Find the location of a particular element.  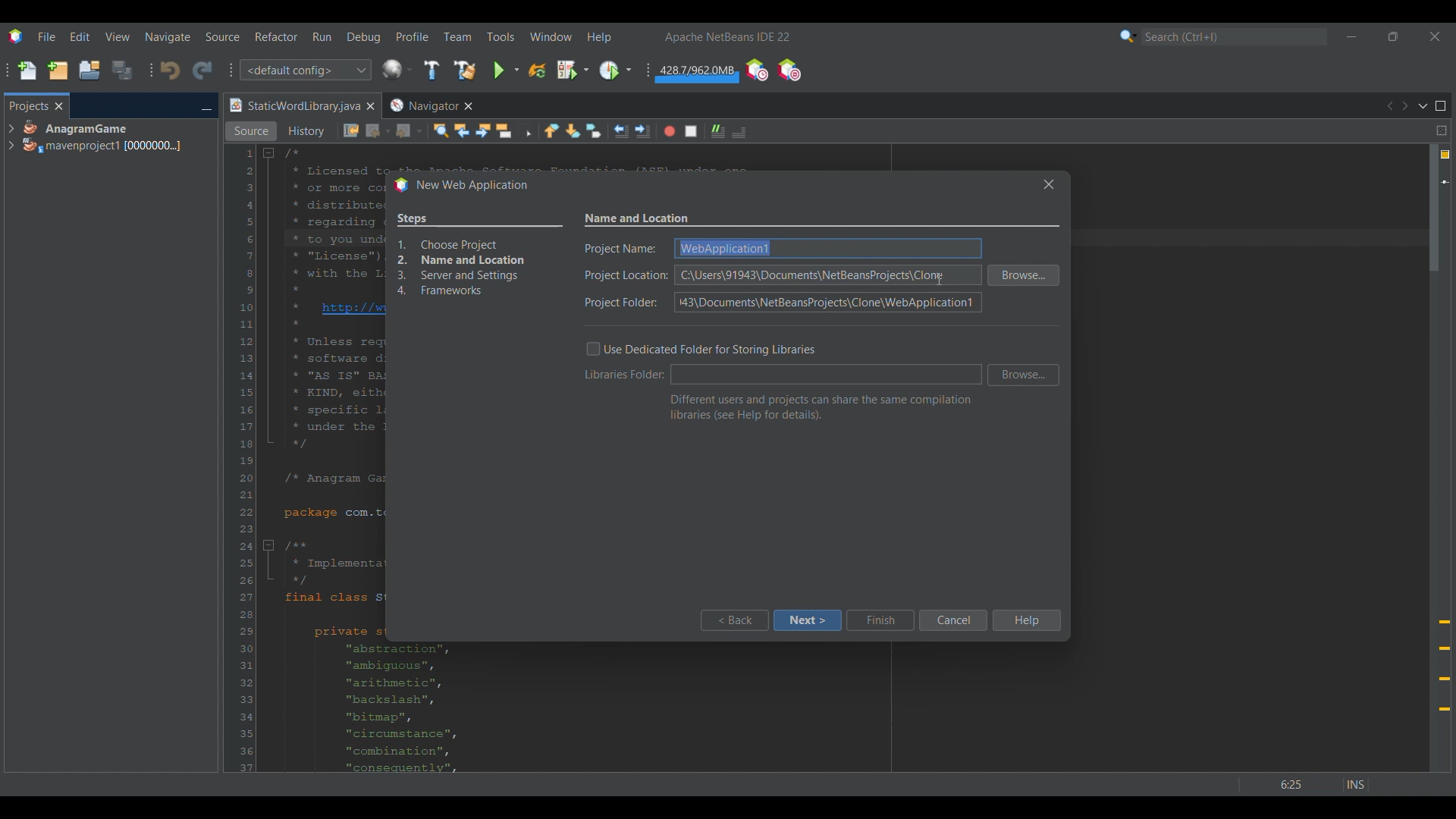

 is located at coordinates (942, 279).